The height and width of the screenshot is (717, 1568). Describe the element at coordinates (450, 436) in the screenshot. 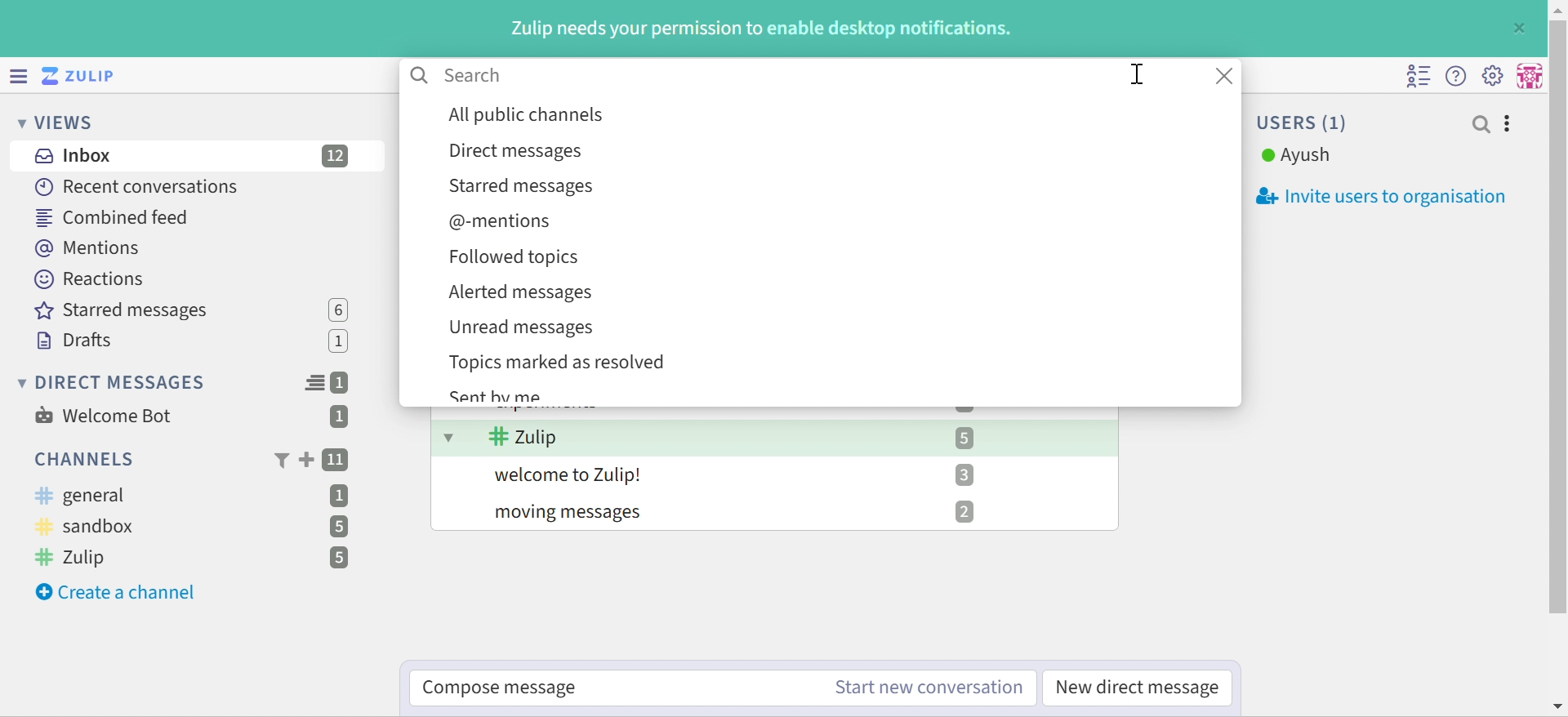

I see `Drop down` at that location.